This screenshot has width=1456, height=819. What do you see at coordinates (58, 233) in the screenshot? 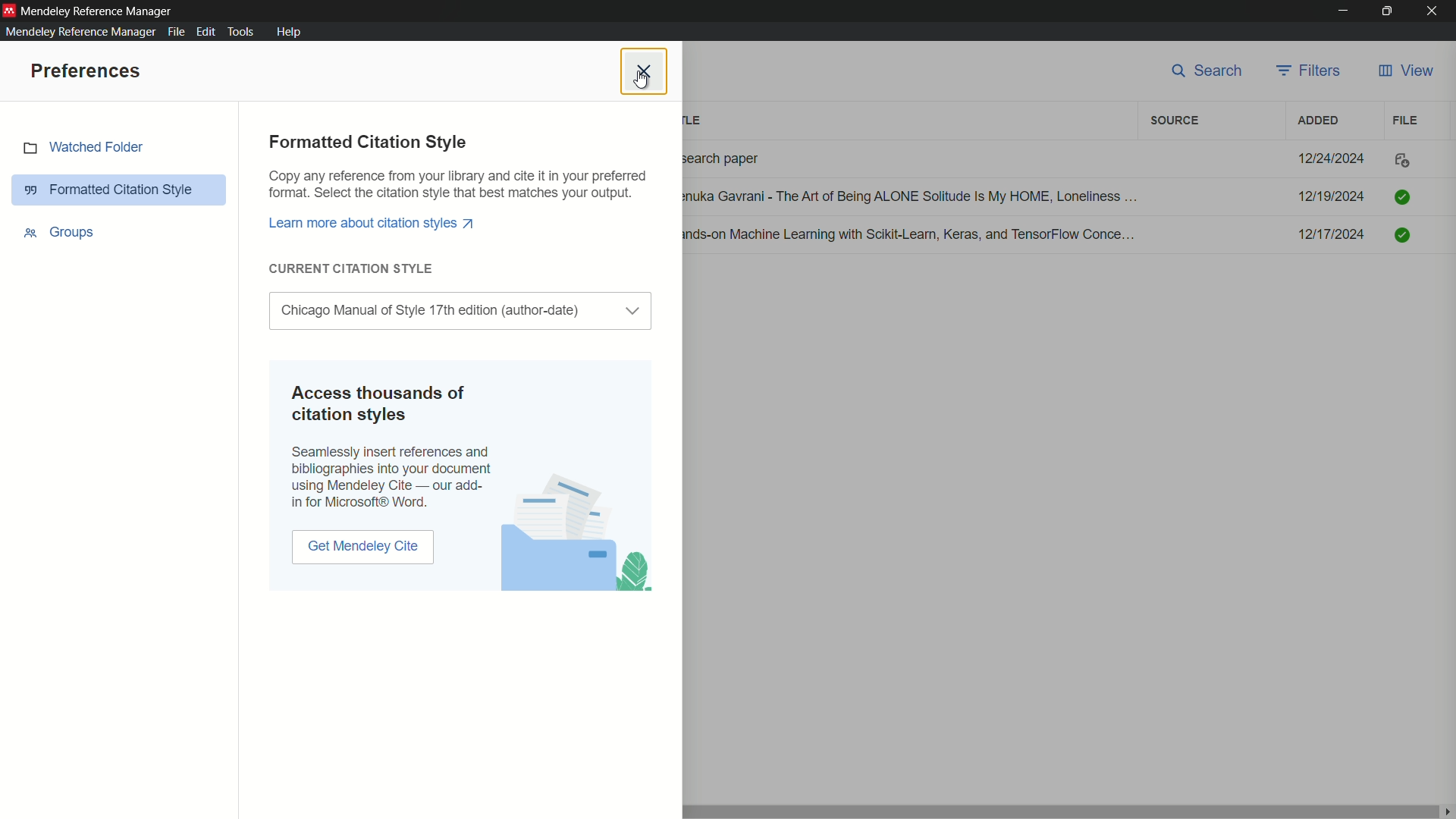
I see `groups` at bounding box center [58, 233].